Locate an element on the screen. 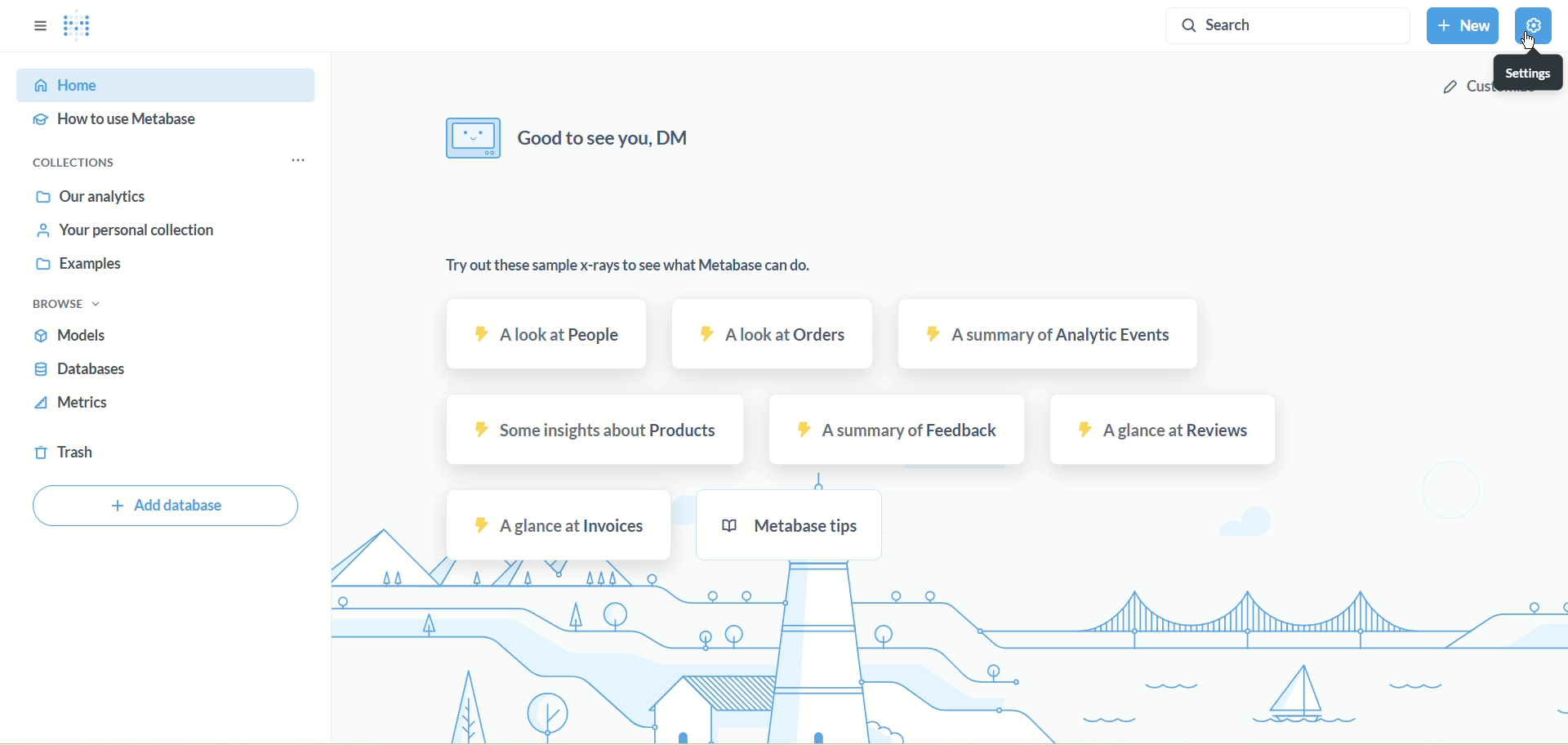  metrics is located at coordinates (74, 403).